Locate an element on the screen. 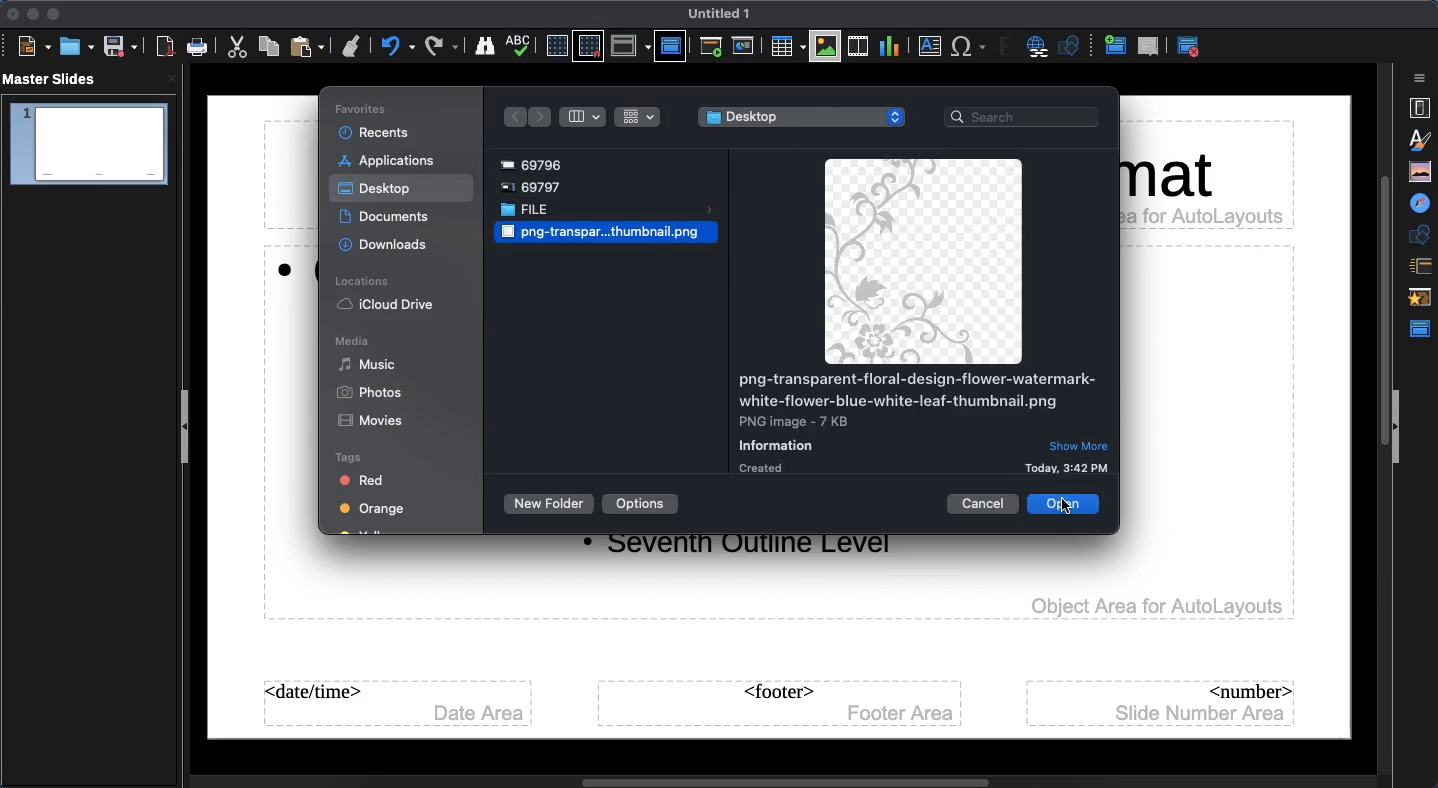  Collapse is located at coordinates (1398, 428).